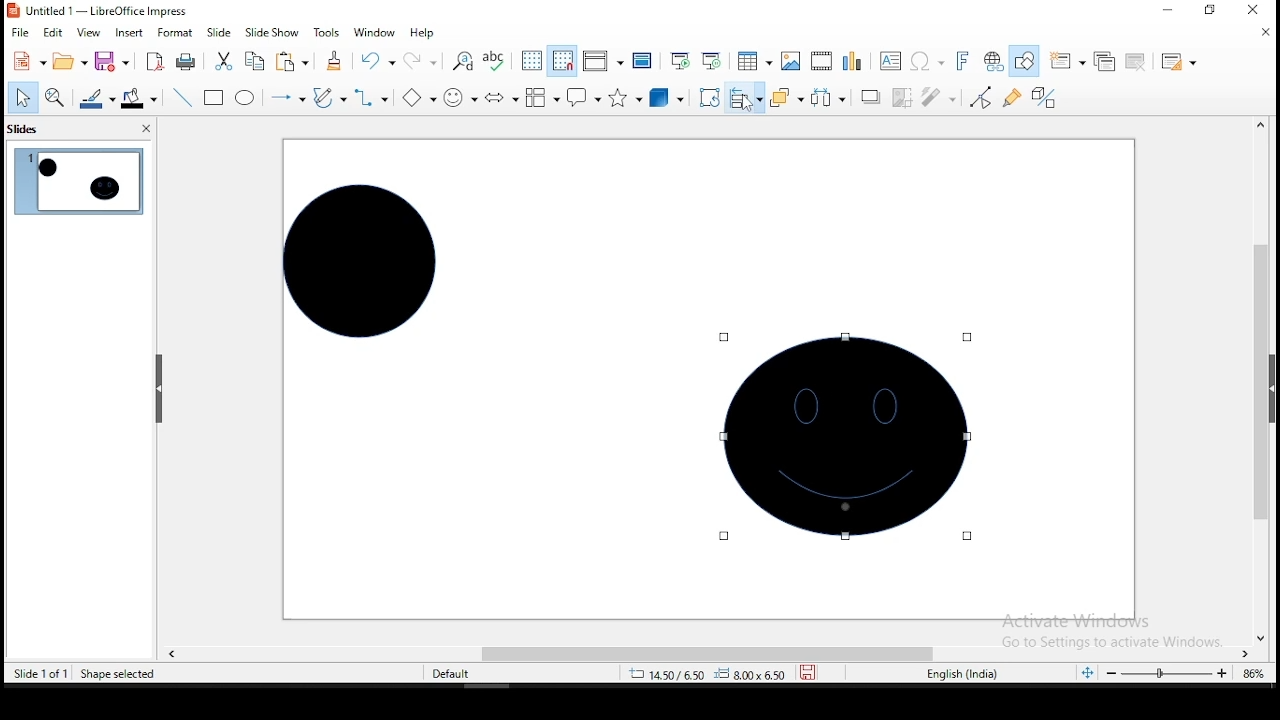 The image size is (1280, 720). Describe the element at coordinates (1261, 32) in the screenshot. I see `close` at that location.